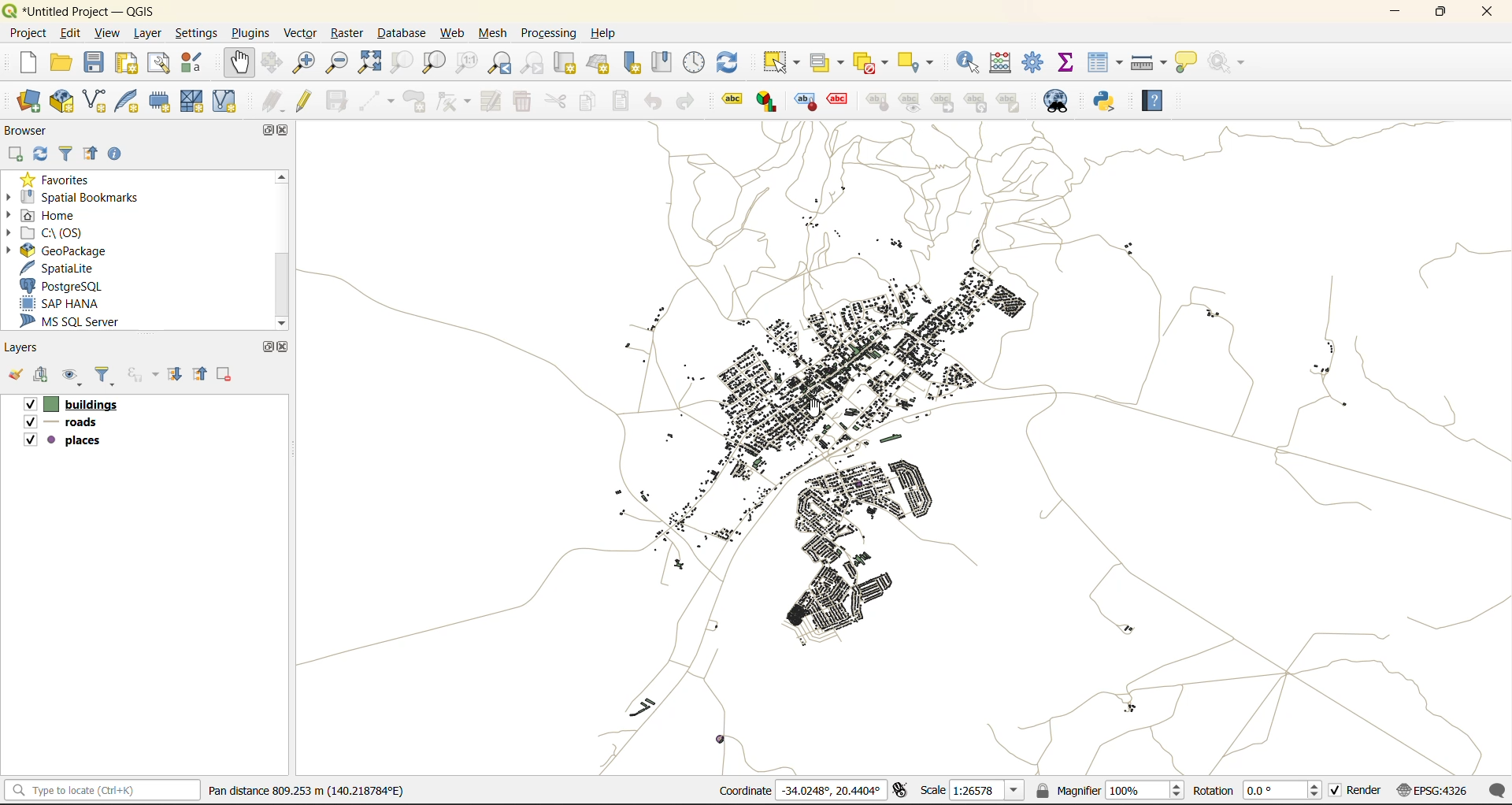  I want to click on project, so click(32, 35).